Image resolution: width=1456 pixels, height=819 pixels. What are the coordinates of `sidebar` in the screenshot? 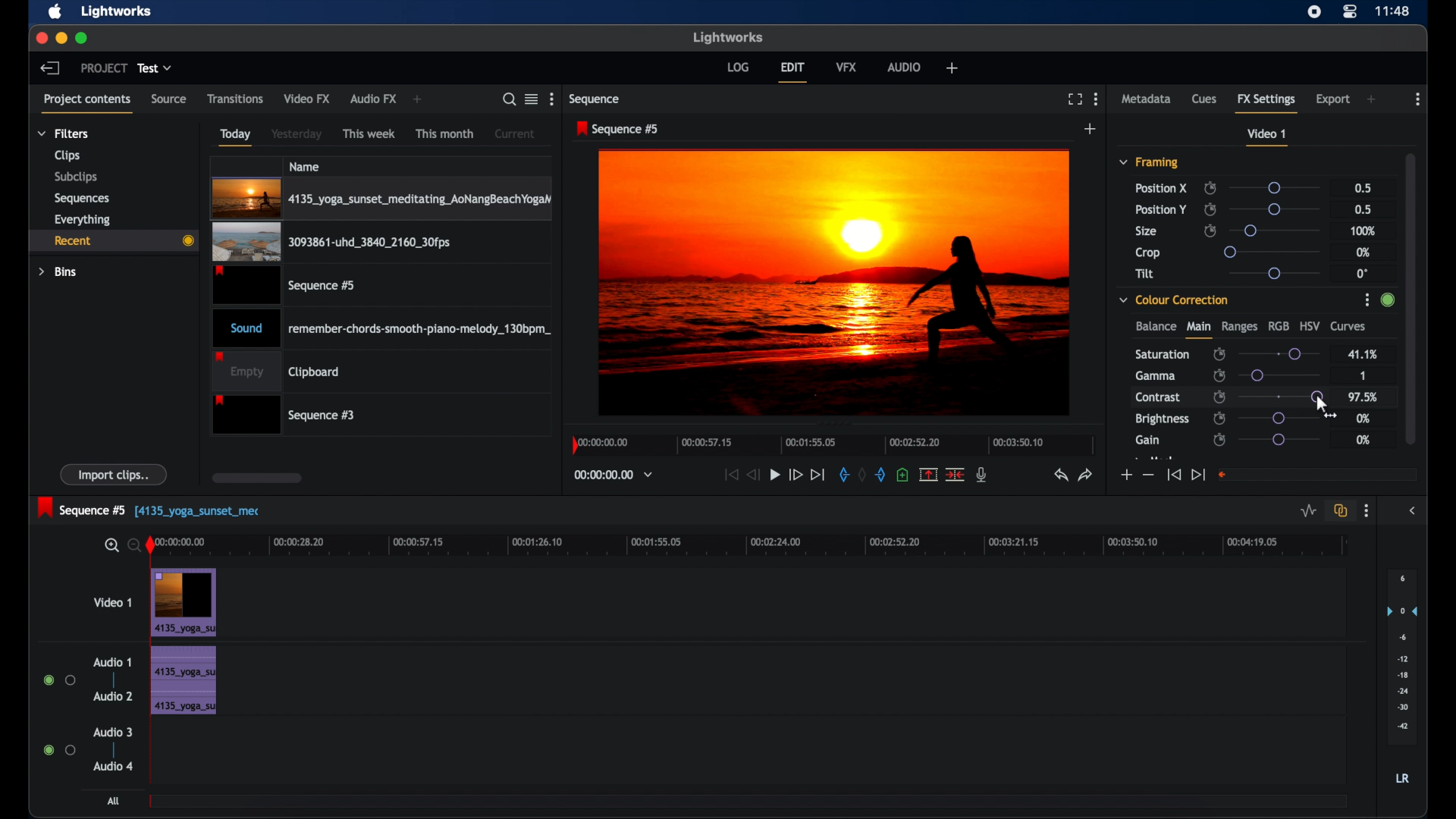 It's located at (1414, 511).